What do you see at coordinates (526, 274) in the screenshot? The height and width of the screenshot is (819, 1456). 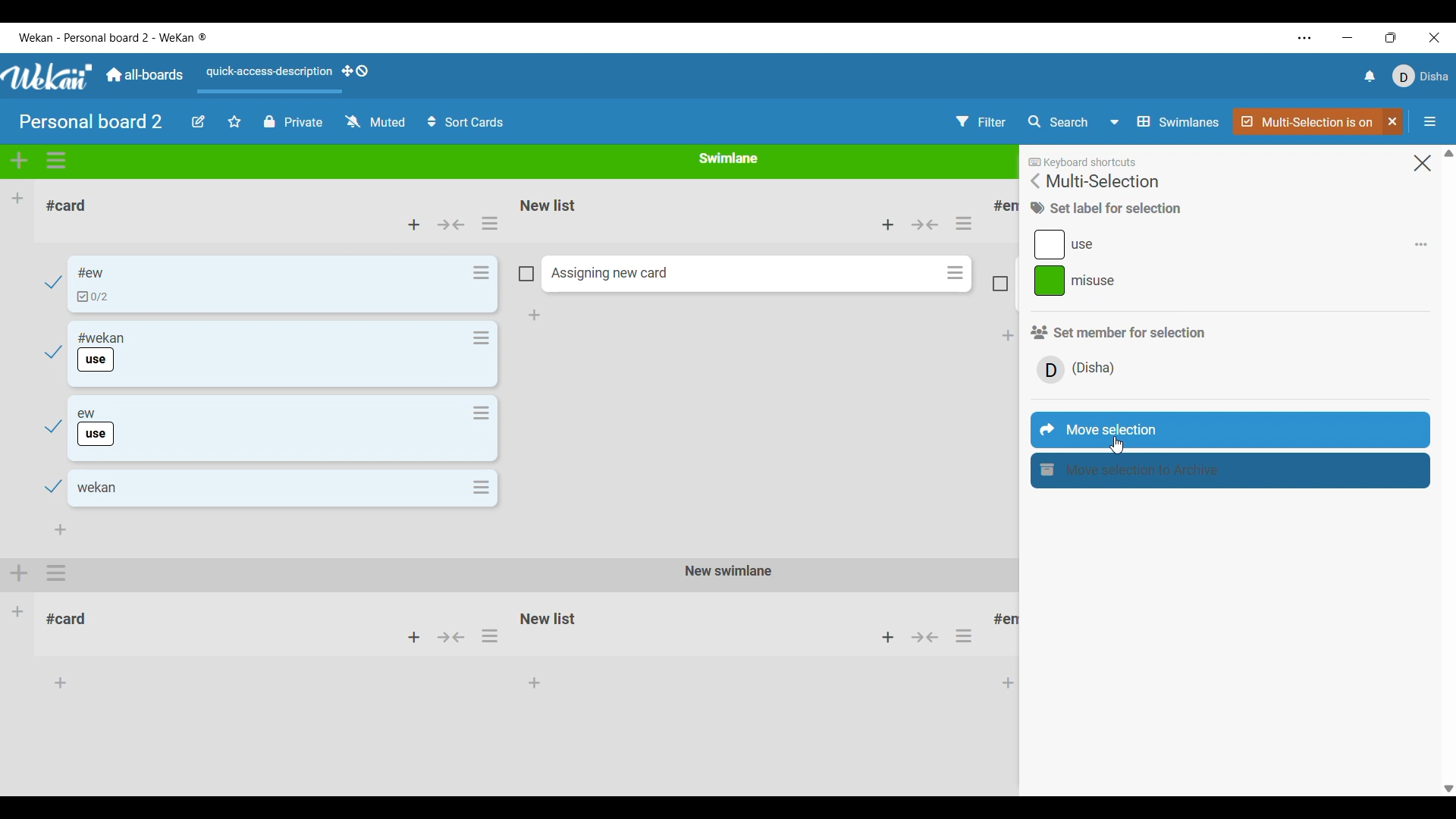 I see `Indicates card is not included in current selection` at bounding box center [526, 274].